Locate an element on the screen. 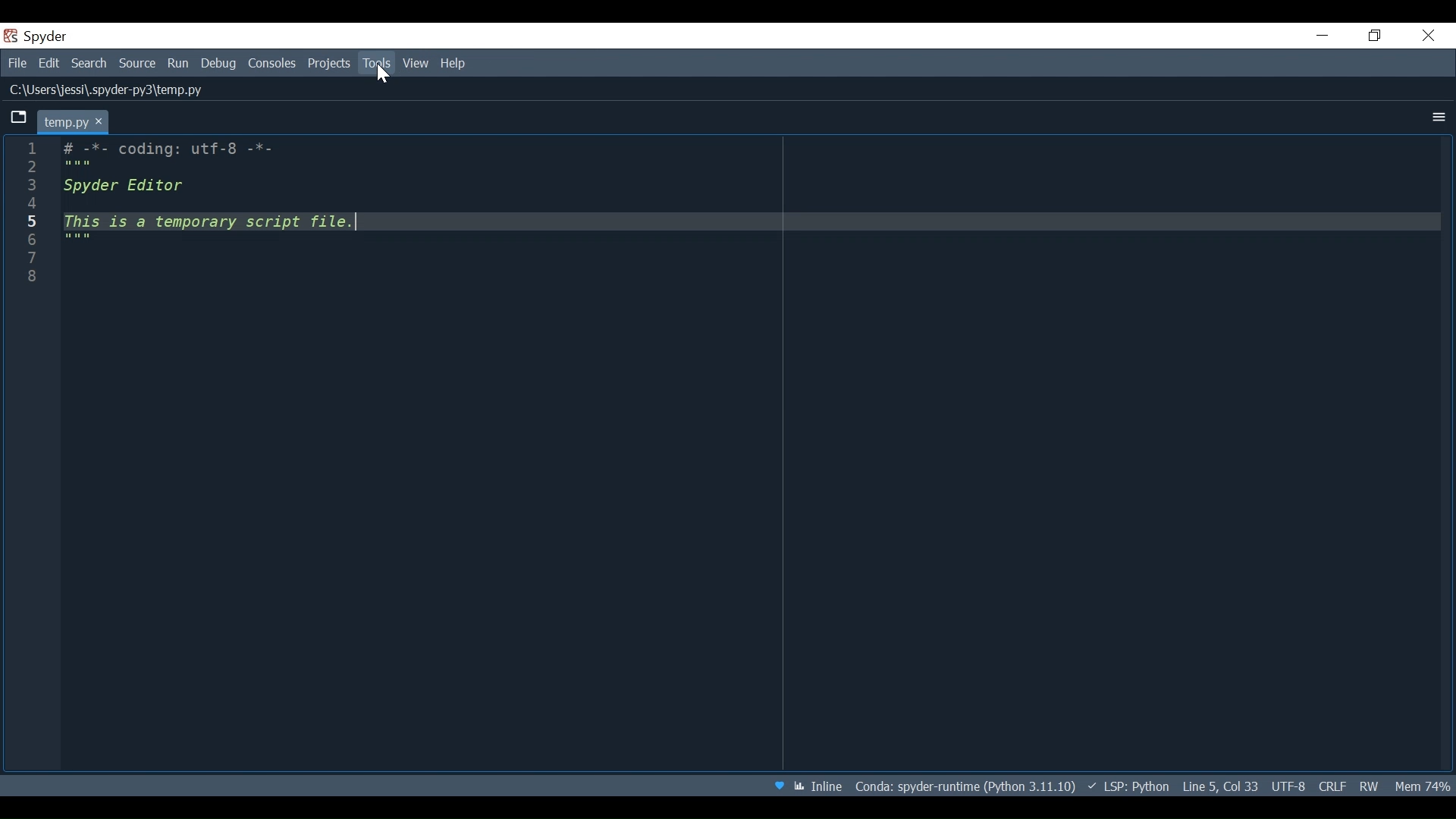 The height and width of the screenshot is (819, 1456). File Path is located at coordinates (111, 89).